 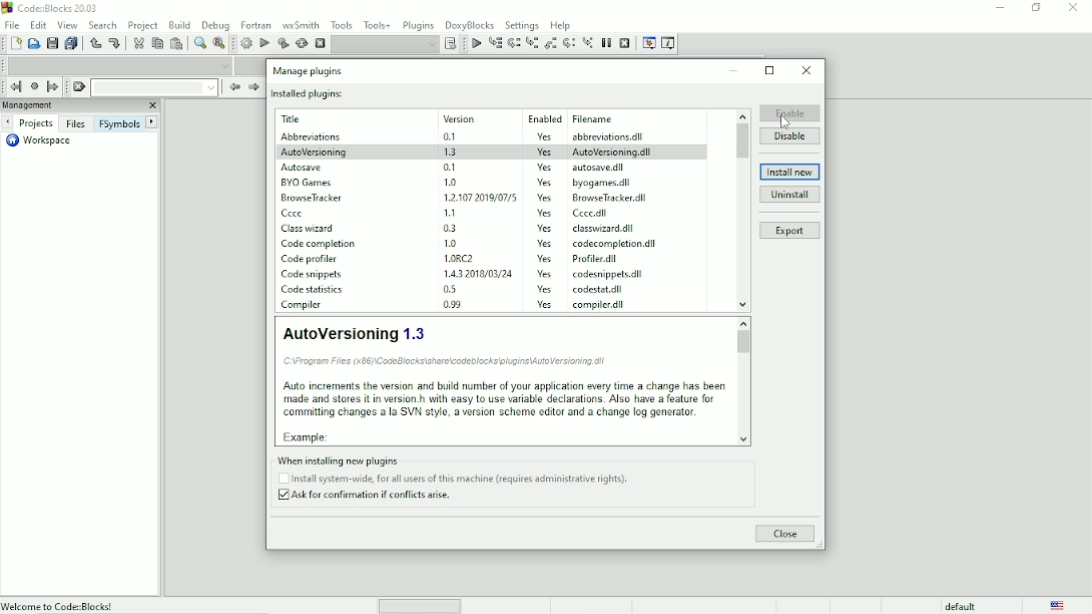 What do you see at coordinates (472, 272) in the screenshot?
I see `version ` at bounding box center [472, 272].